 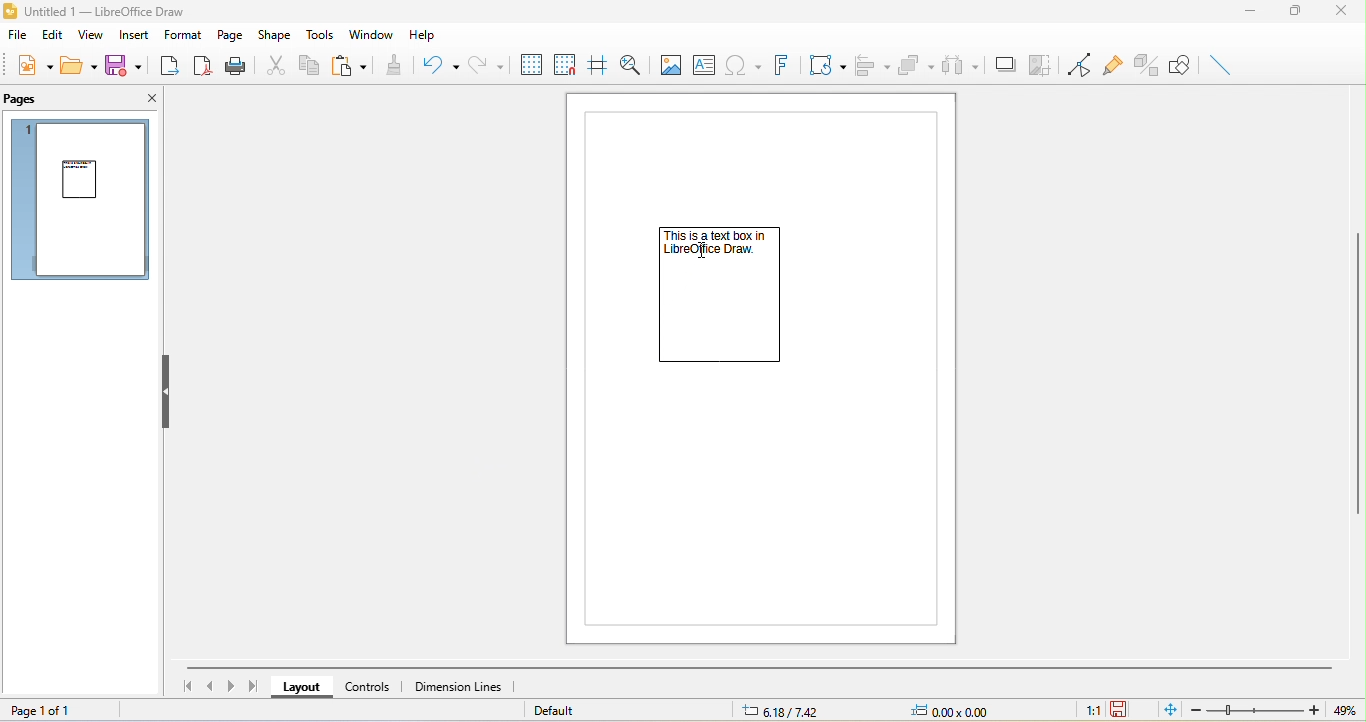 What do you see at coordinates (1038, 64) in the screenshot?
I see `crop image` at bounding box center [1038, 64].